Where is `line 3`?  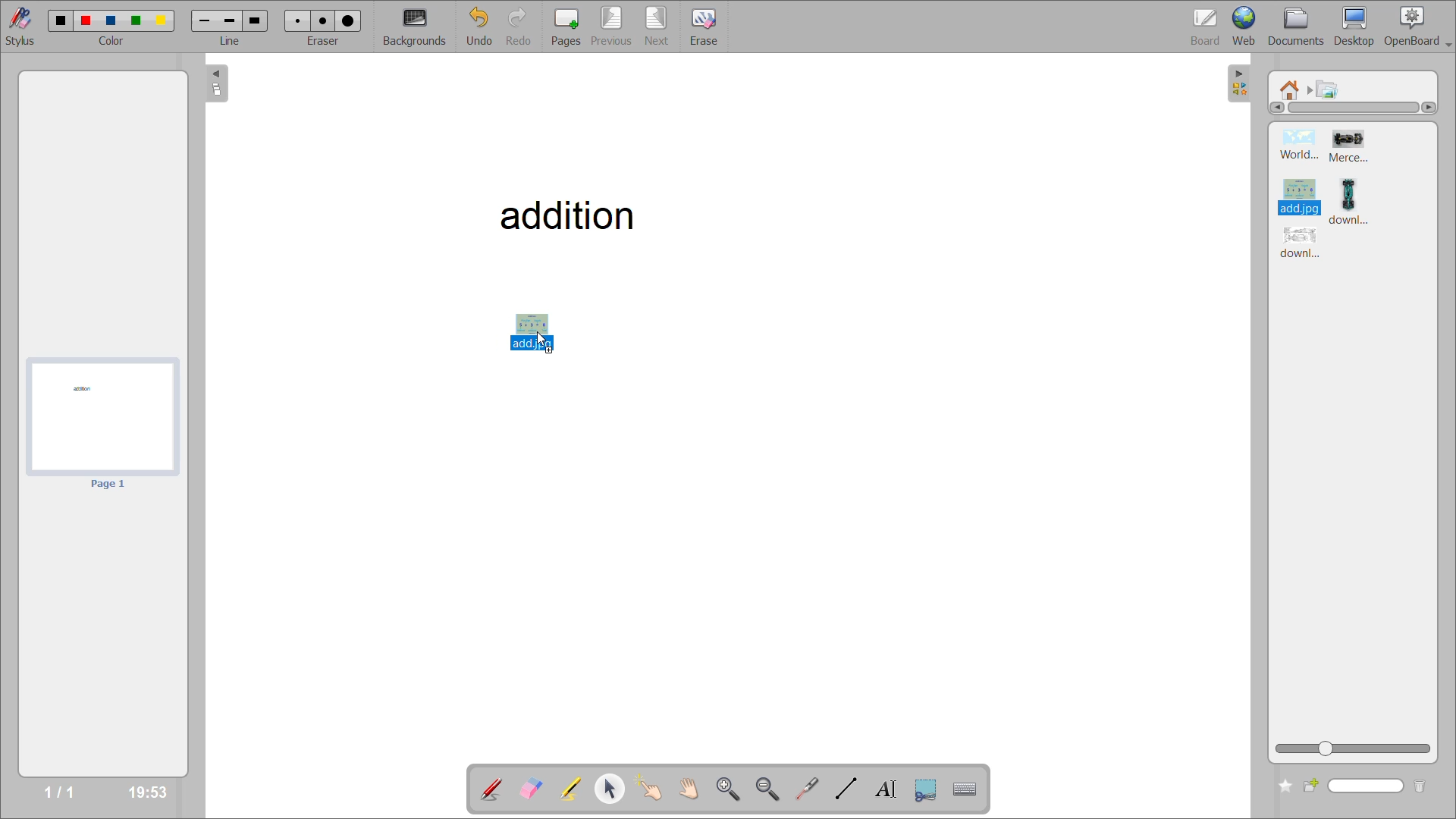
line 3 is located at coordinates (254, 20).